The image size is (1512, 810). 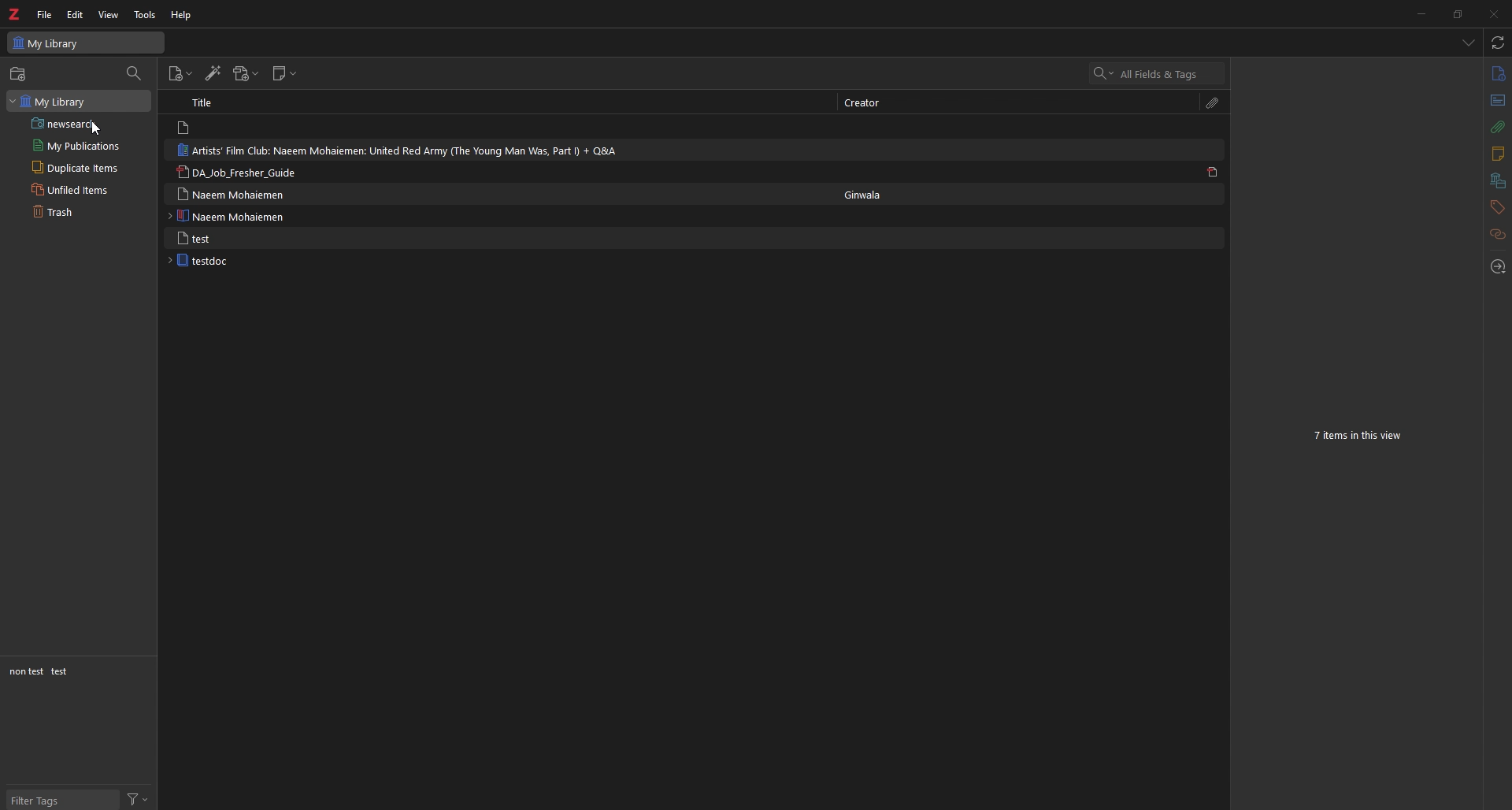 What do you see at coordinates (28, 671) in the screenshot?
I see `non test` at bounding box center [28, 671].